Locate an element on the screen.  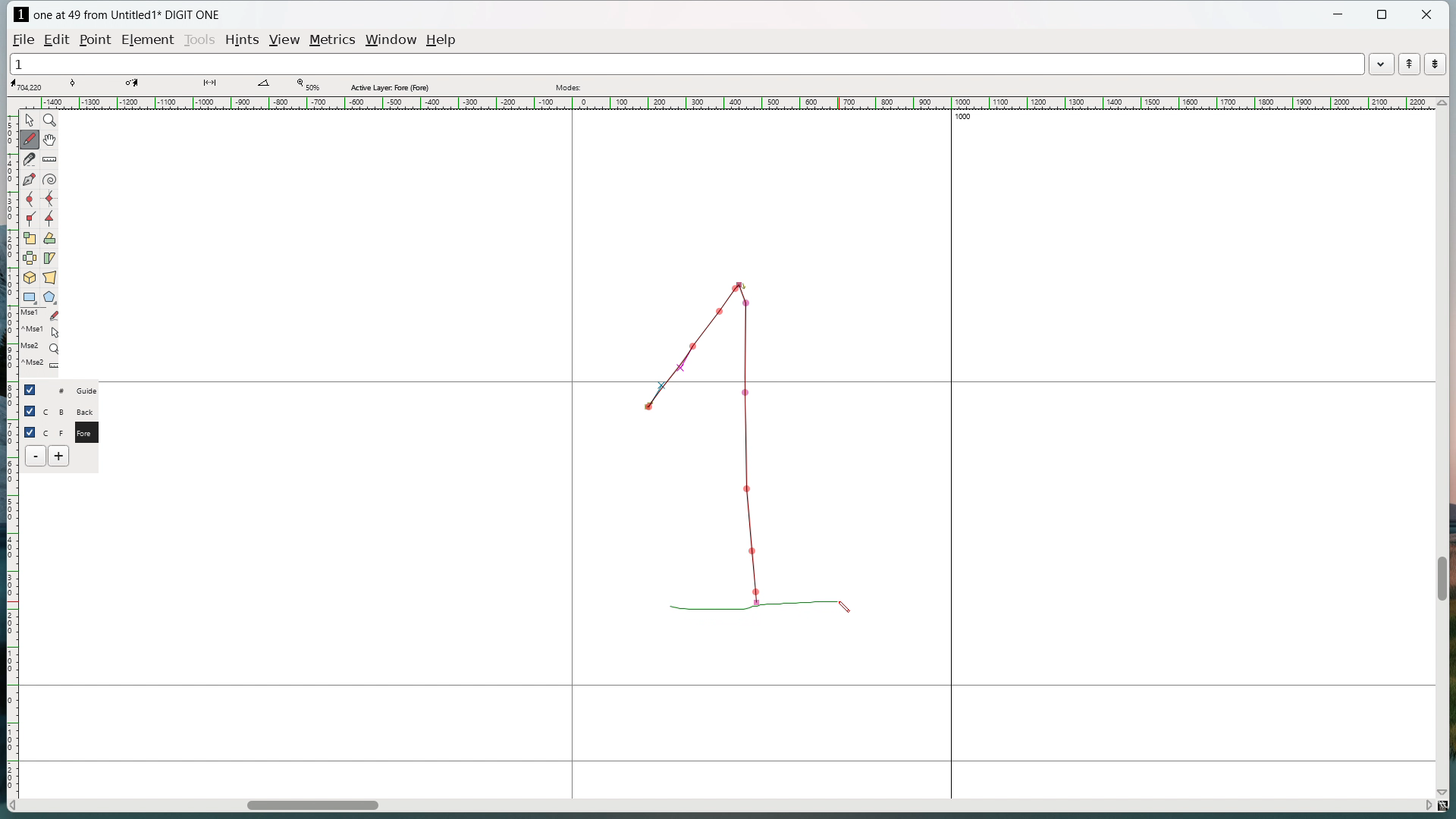
flip the selection is located at coordinates (30, 258).